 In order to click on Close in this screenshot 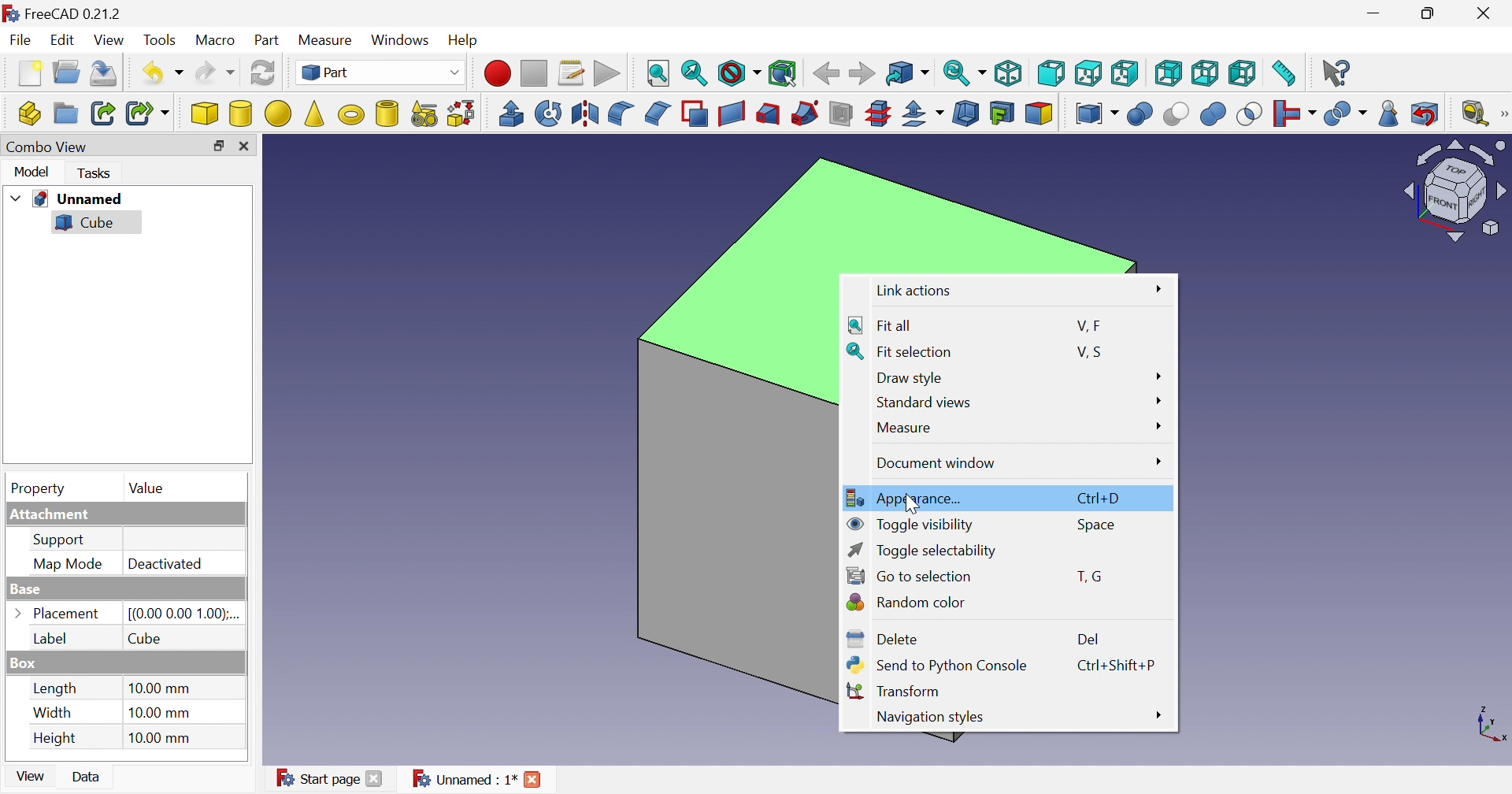, I will do `click(533, 780)`.